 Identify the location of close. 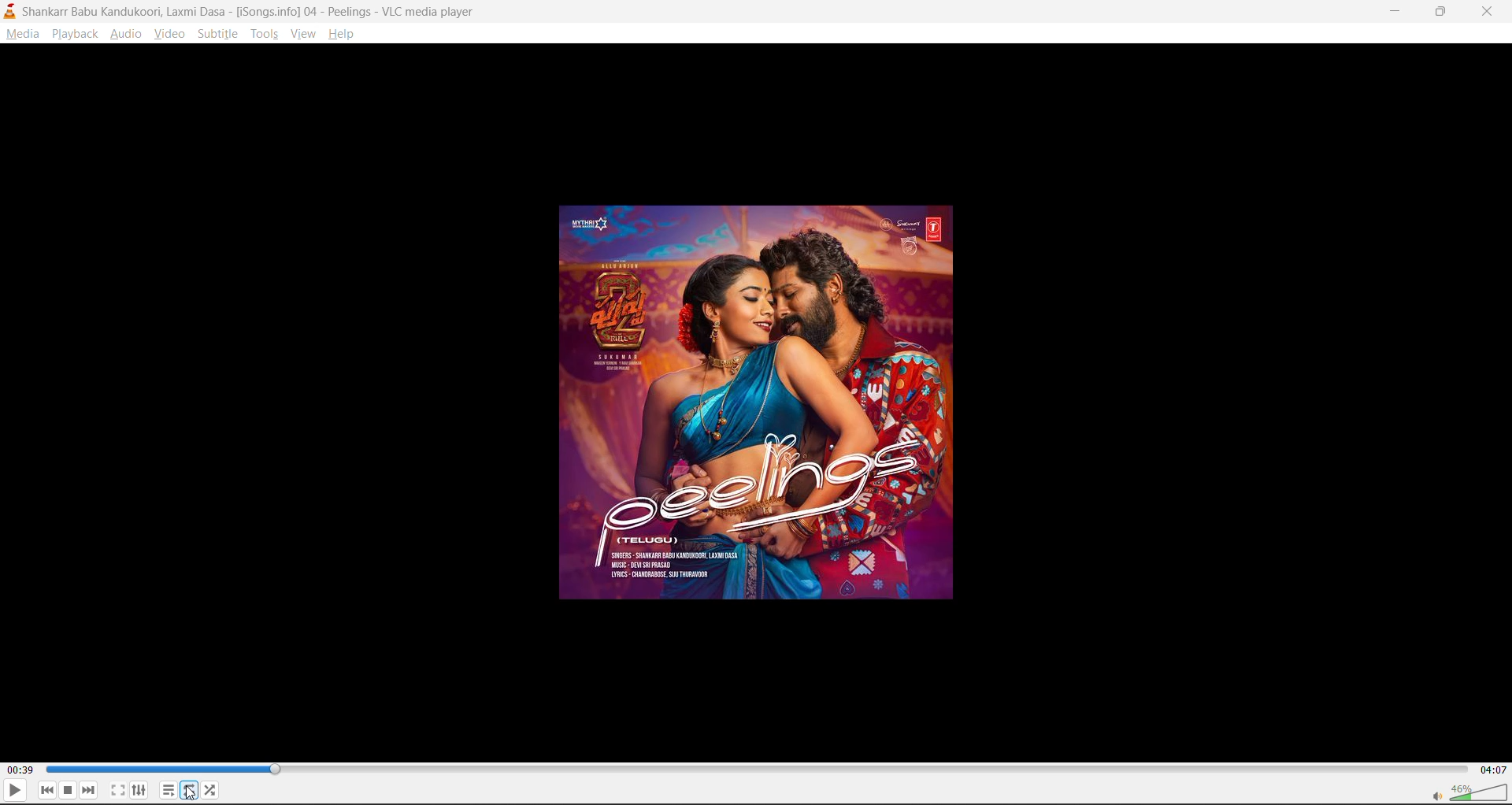
(1484, 12).